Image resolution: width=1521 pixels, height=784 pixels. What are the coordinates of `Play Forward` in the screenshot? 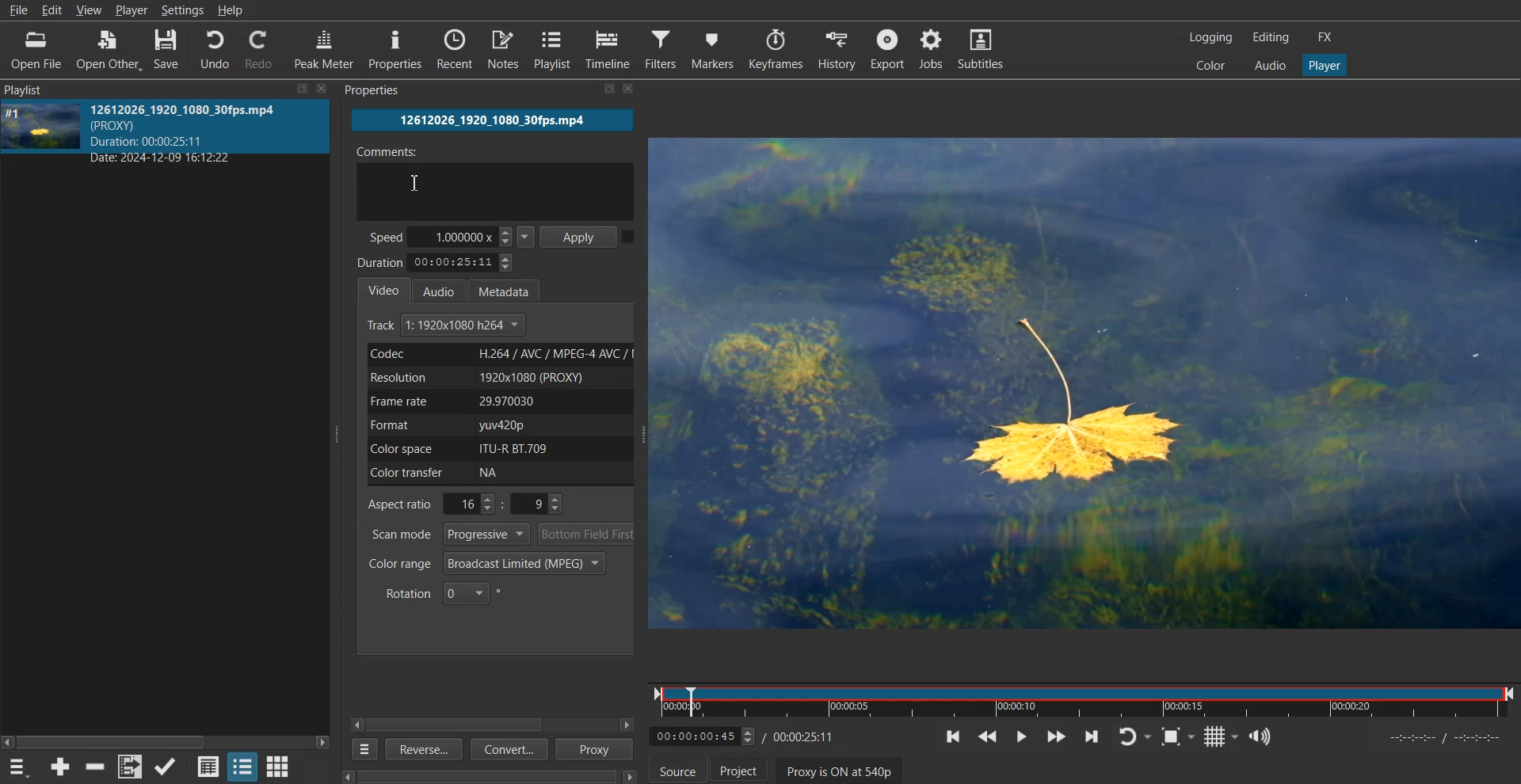 It's located at (1056, 736).